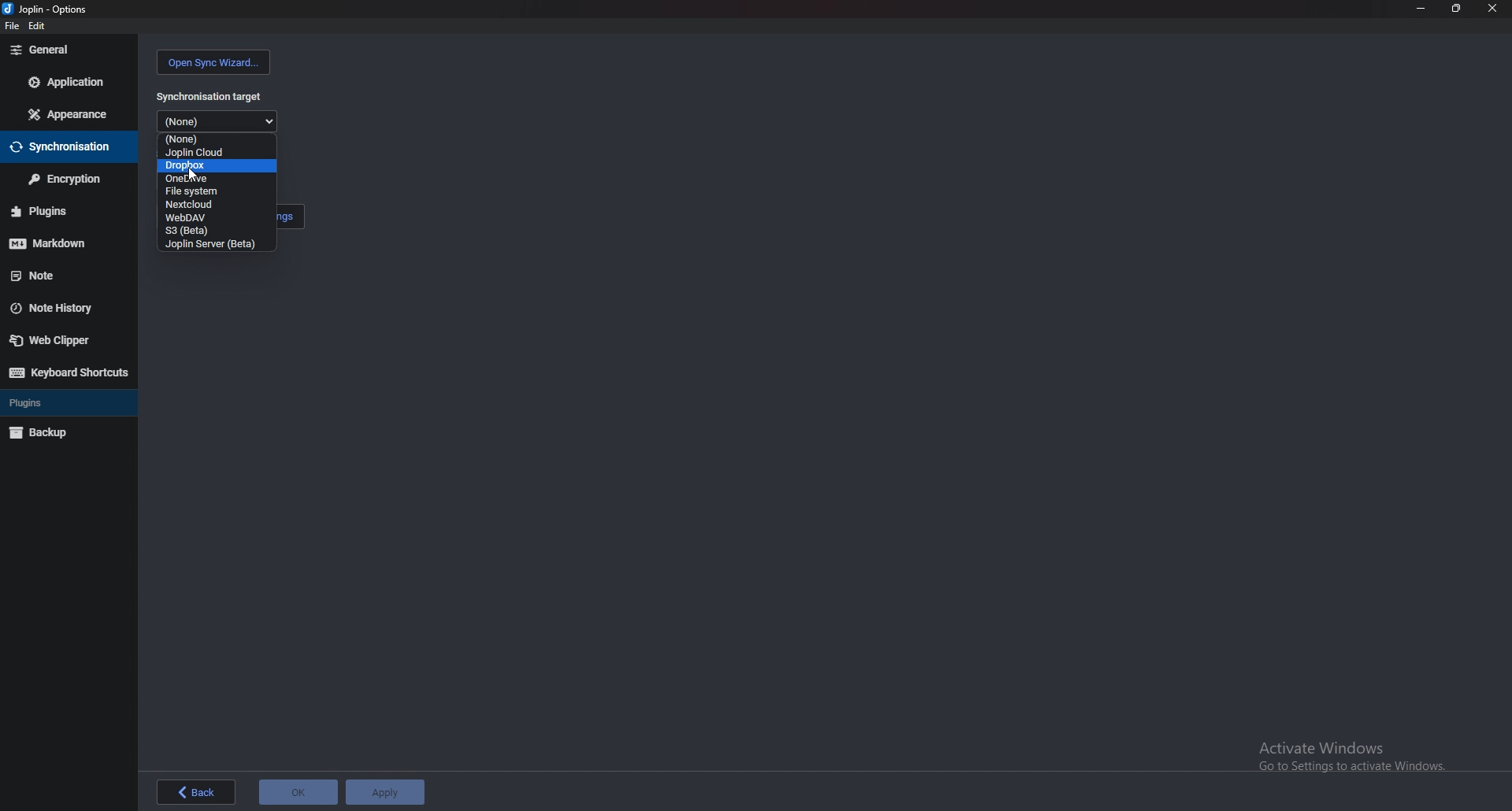  What do you see at coordinates (69, 372) in the screenshot?
I see `keyboard shortcuts` at bounding box center [69, 372].